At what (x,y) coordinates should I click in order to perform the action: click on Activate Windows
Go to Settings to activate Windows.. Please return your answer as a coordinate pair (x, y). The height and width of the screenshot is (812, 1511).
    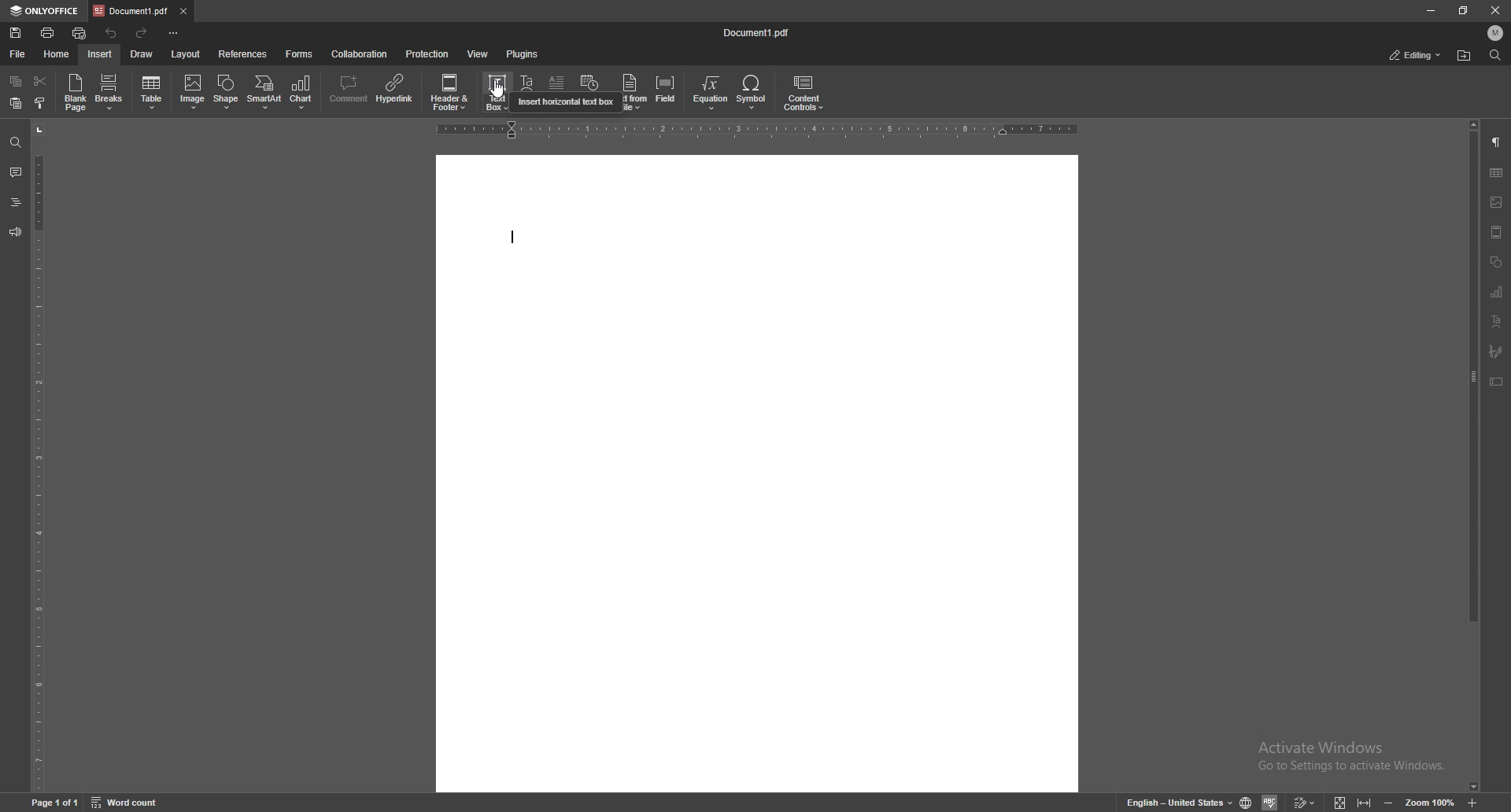
    Looking at the image, I should click on (1355, 757).